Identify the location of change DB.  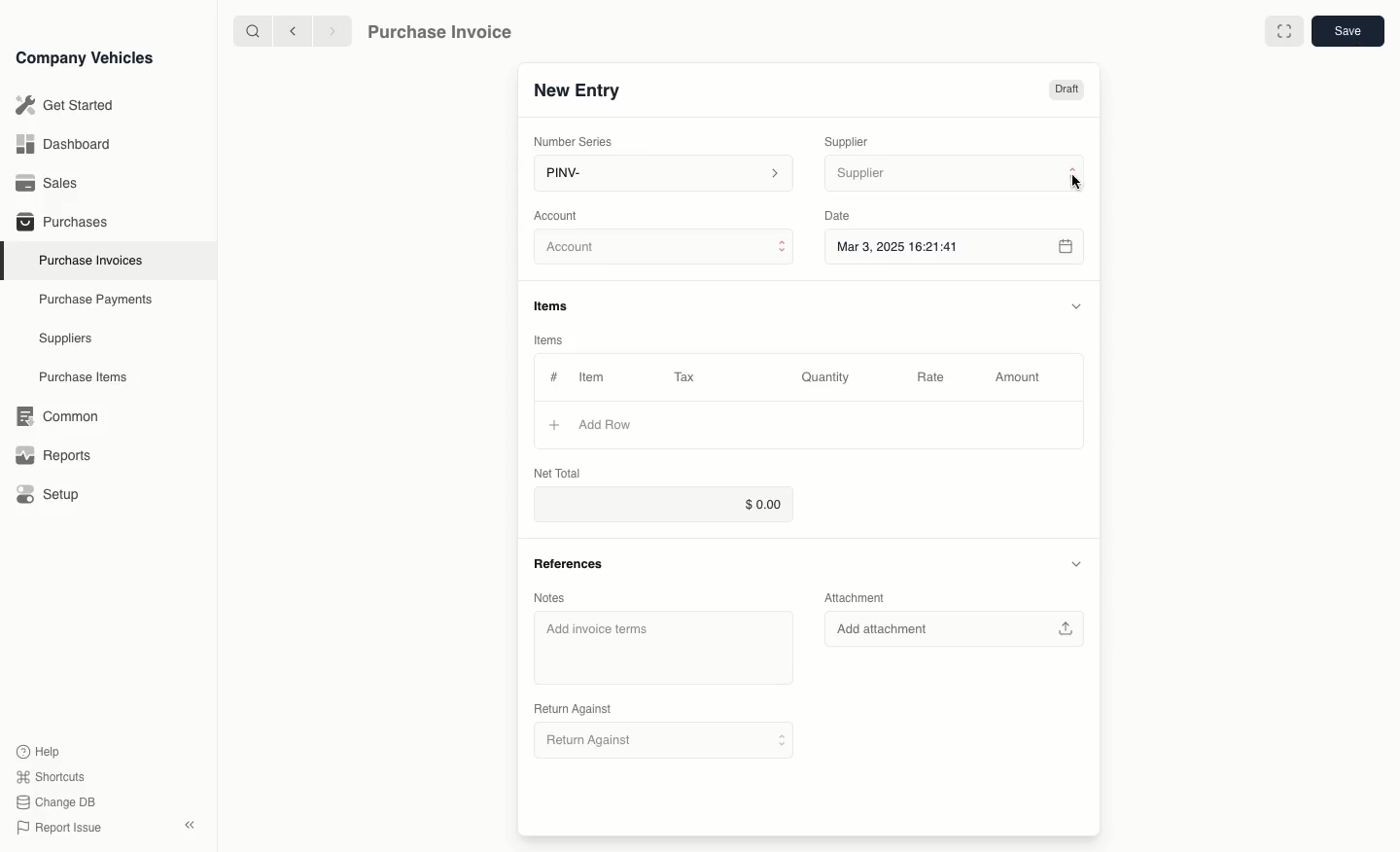
(58, 802).